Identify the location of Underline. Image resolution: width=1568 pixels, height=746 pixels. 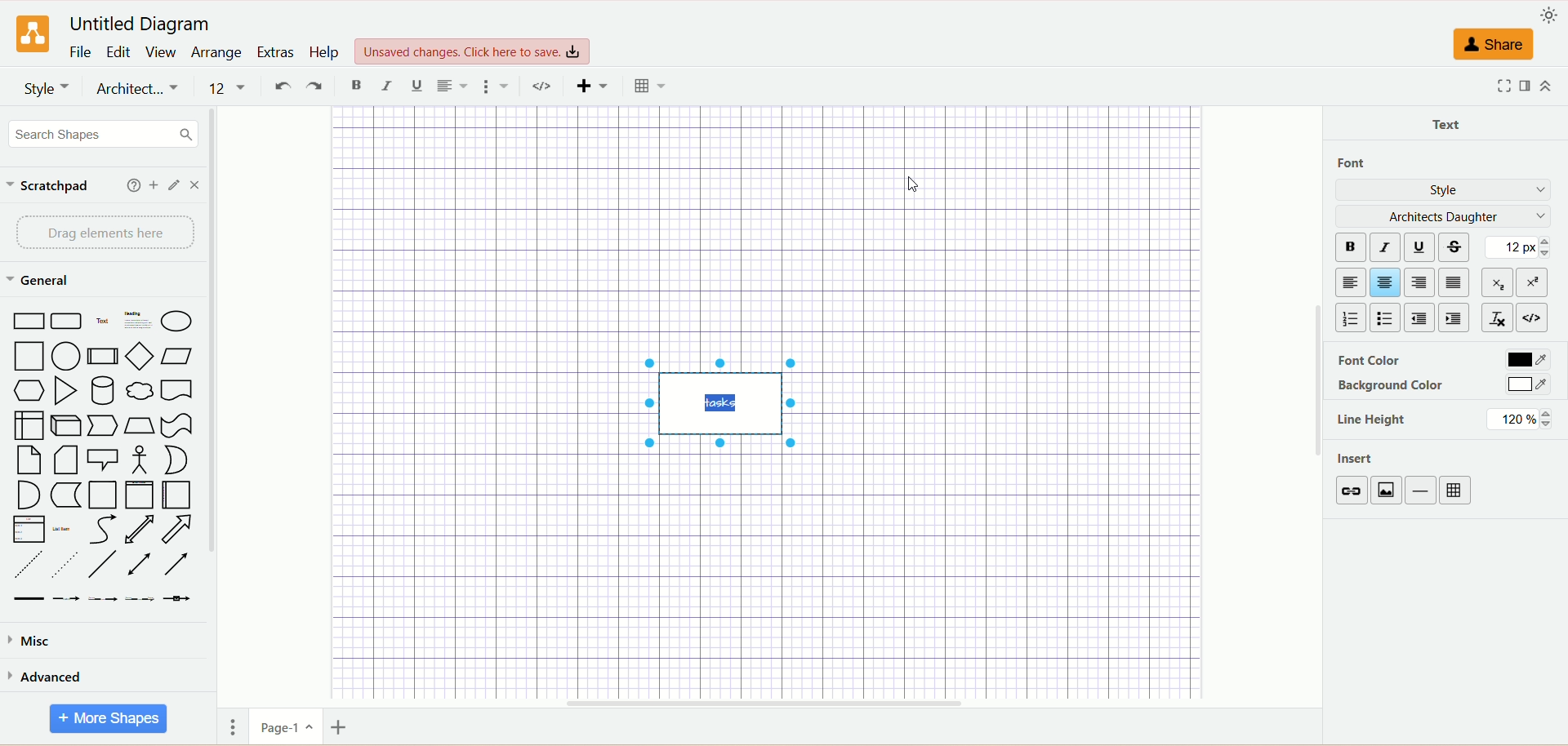
(418, 87).